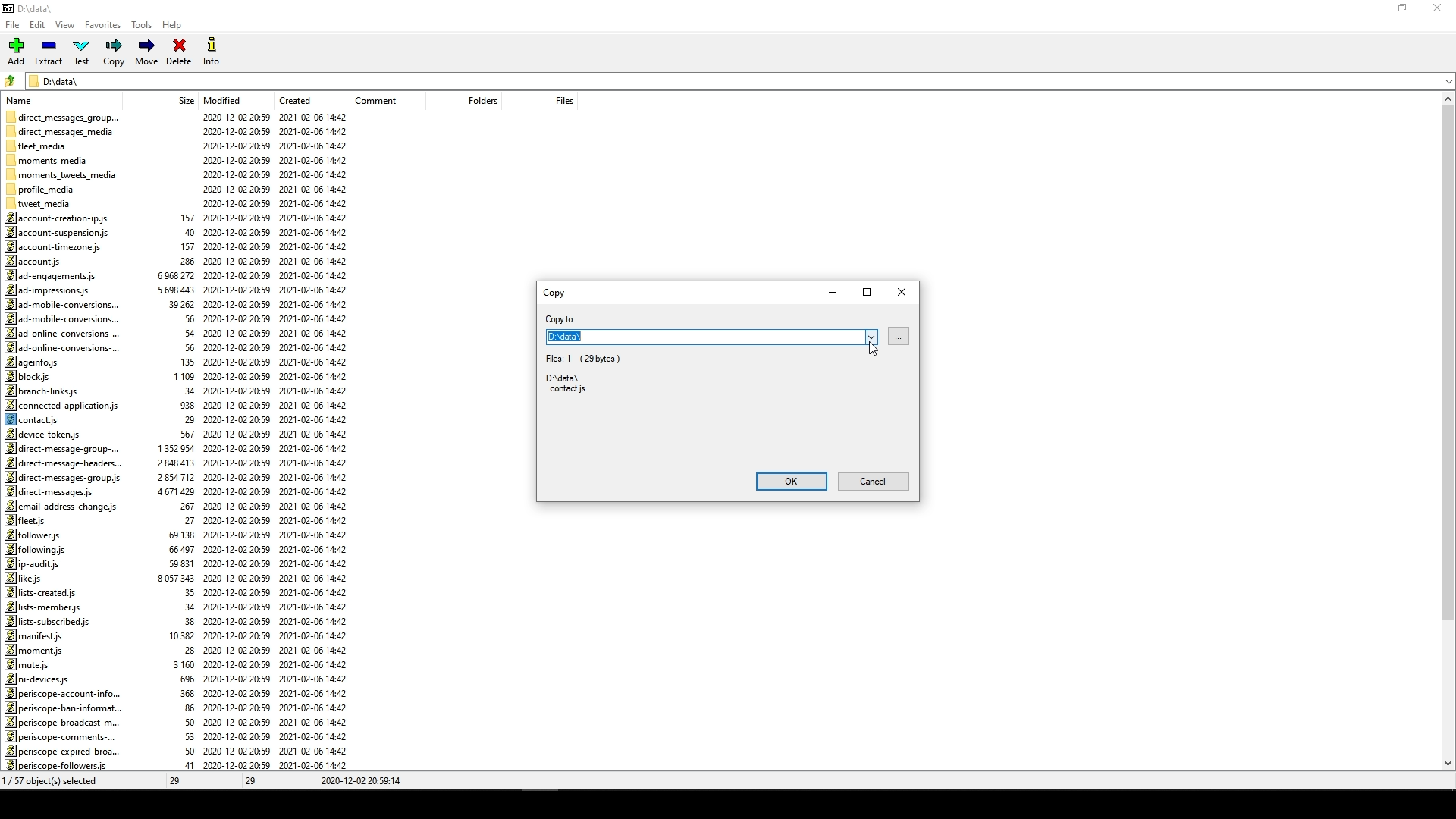 This screenshot has width=1456, height=819. Describe the element at coordinates (364, 782) in the screenshot. I see `2020-12-02 20:59:14` at that location.